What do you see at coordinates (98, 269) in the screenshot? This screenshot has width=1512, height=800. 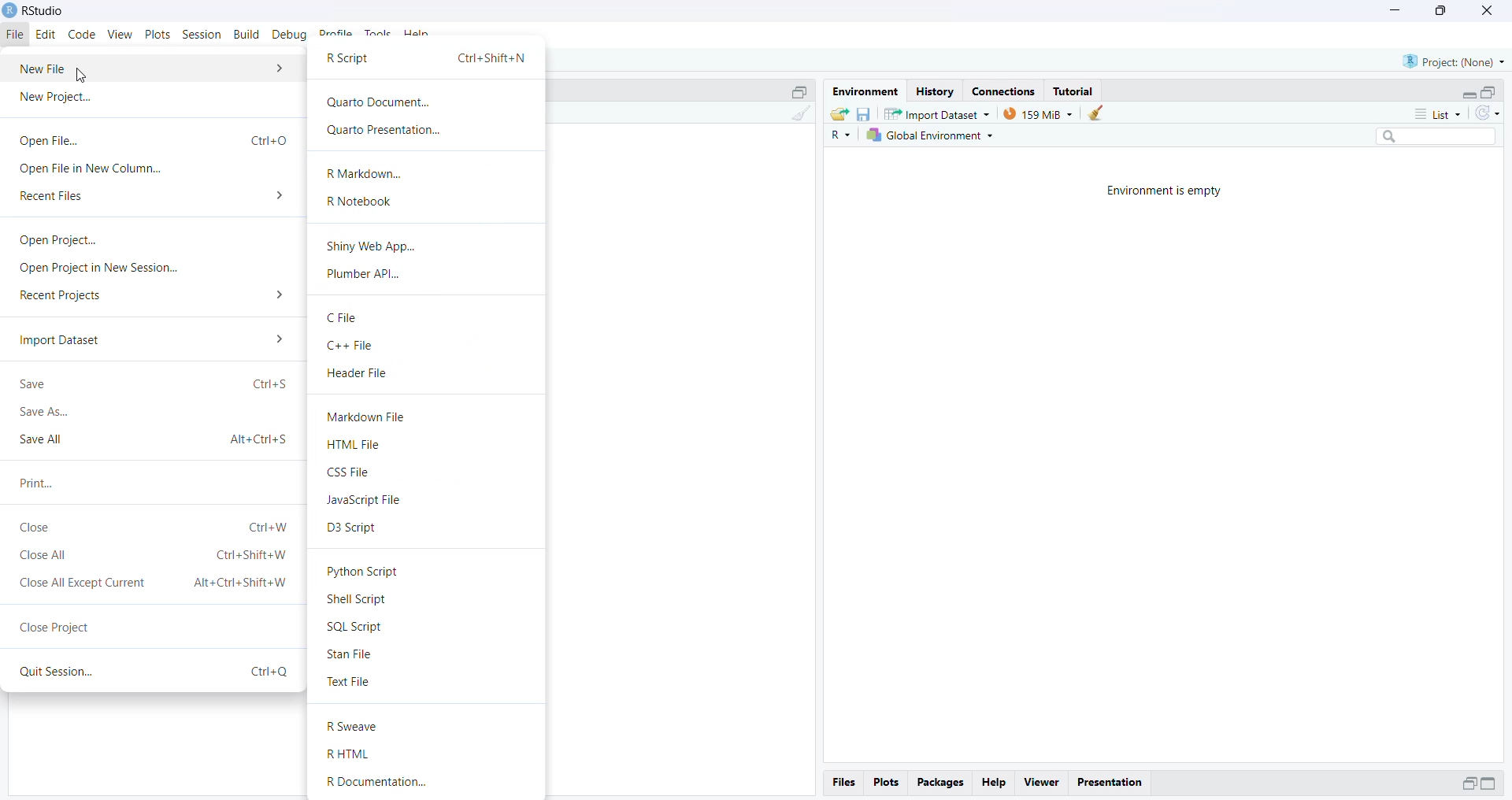 I see `Open Project in New Session...` at bounding box center [98, 269].